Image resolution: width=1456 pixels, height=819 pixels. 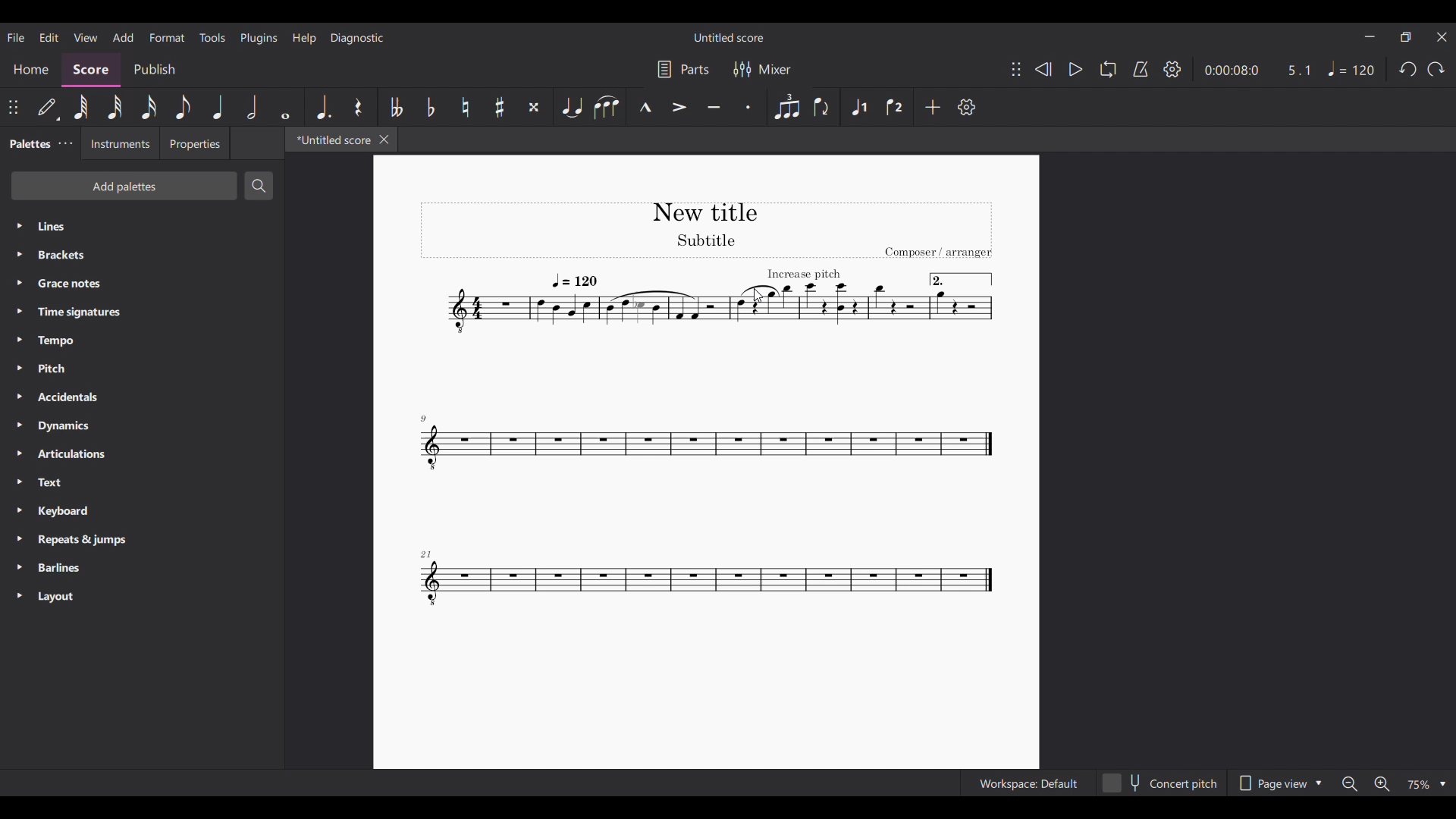 What do you see at coordinates (1161, 783) in the screenshot?
I see `Concert pitch toggle` at bounding box center [1161, 783].